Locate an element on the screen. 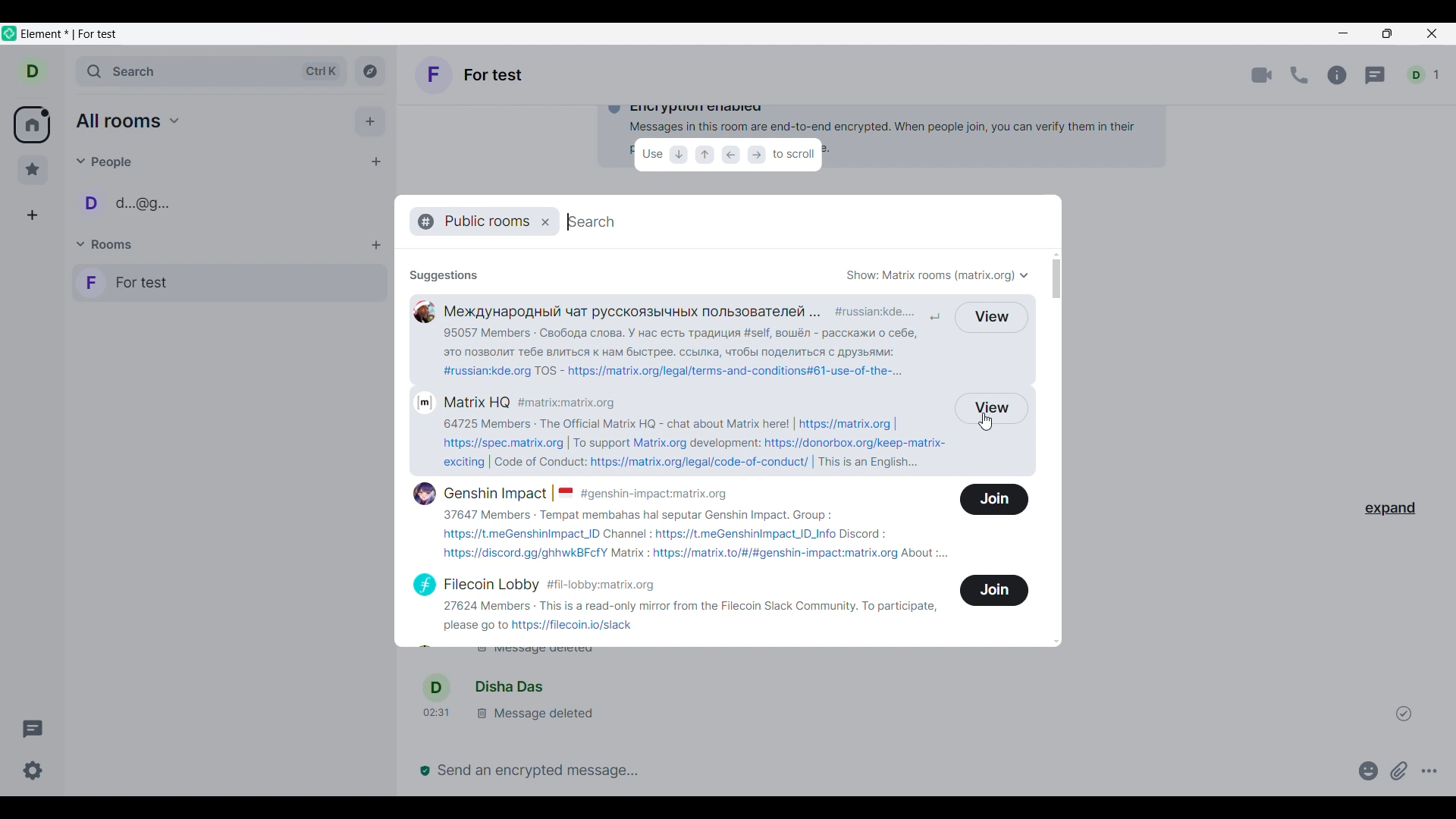 The width and height of the screenshot is (1456, 819). quick settings is located at coordinates (33, 770).